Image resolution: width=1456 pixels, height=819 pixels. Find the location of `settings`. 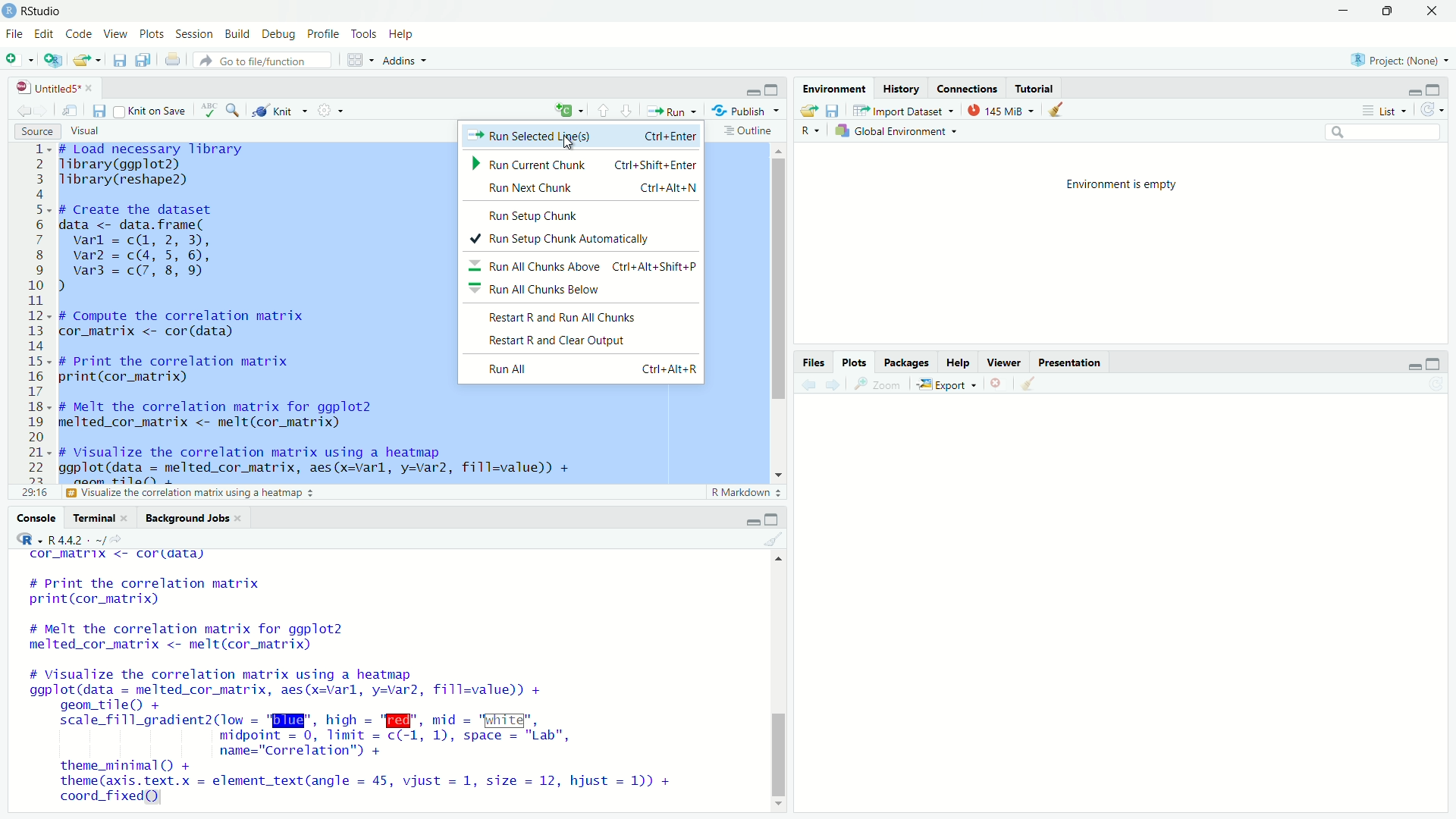

settings is located at coordinates (329, 110).